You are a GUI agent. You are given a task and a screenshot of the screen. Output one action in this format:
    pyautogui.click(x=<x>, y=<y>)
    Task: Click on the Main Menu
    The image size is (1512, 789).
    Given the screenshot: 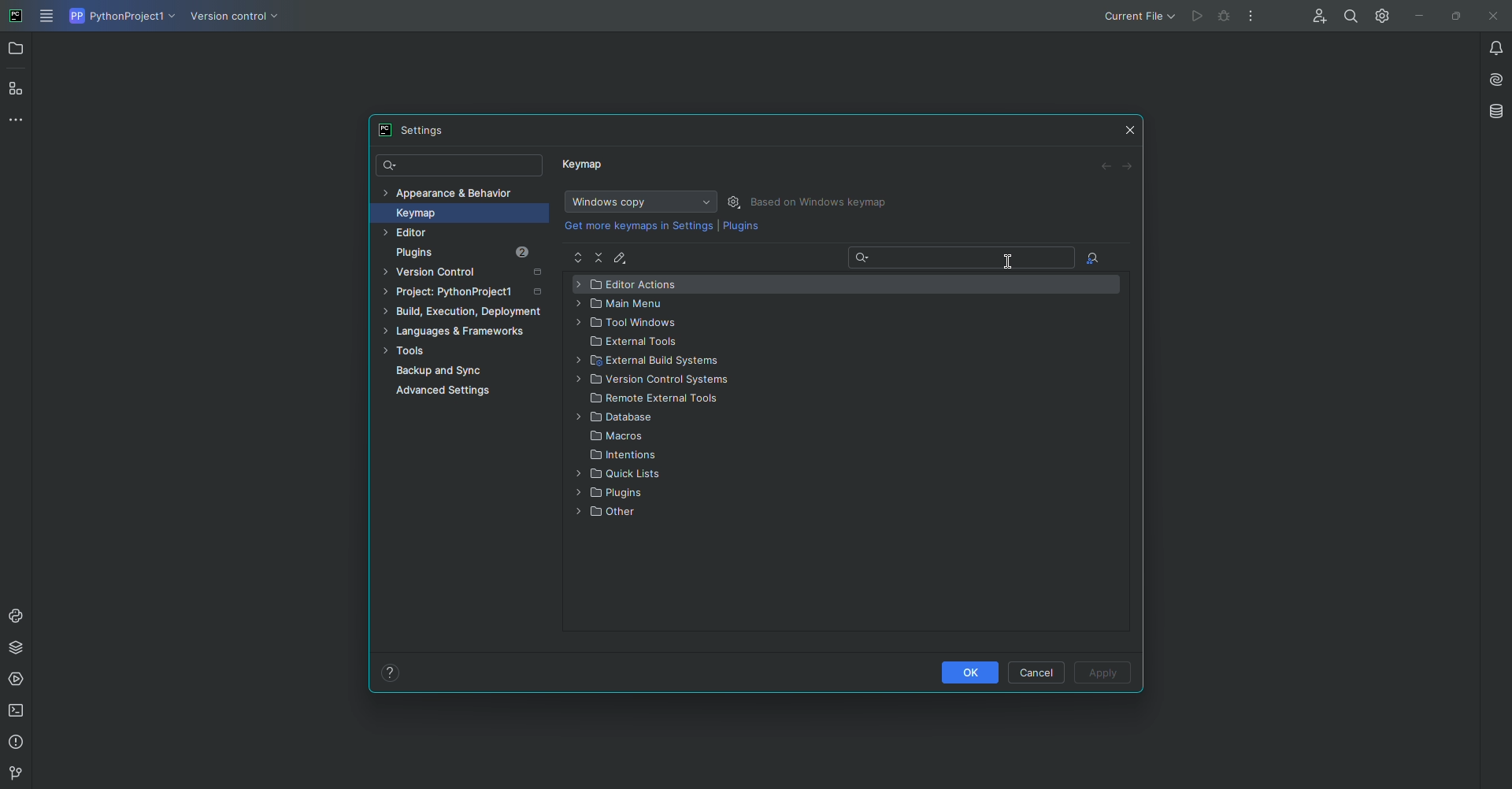 What is the action you would take?
    pyautogui.click(x=627, y=304)
    